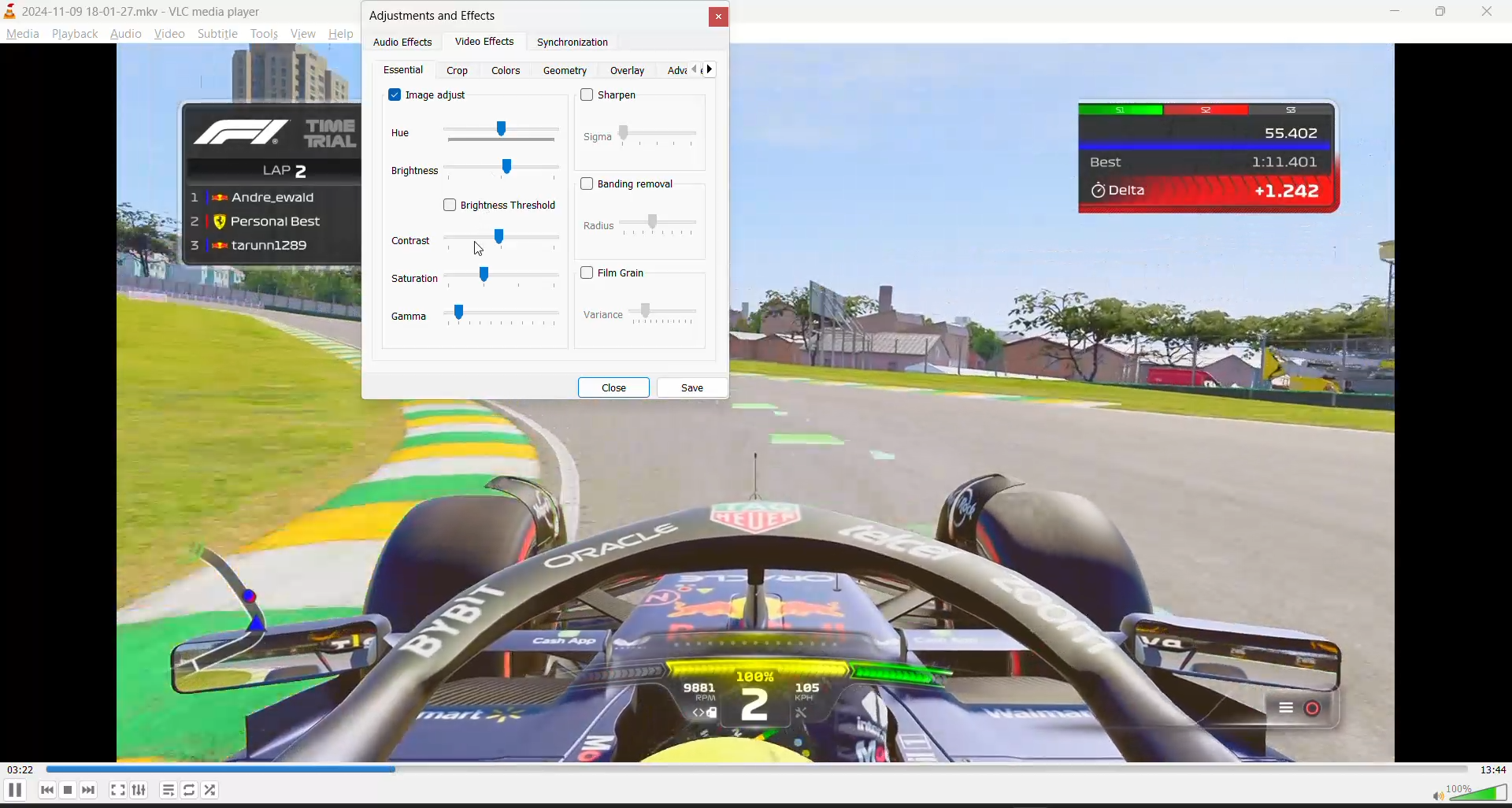  What do you see at coordinates (602, 316) in the screenshot?
I see `Variance` at bounding box center [602, 316].